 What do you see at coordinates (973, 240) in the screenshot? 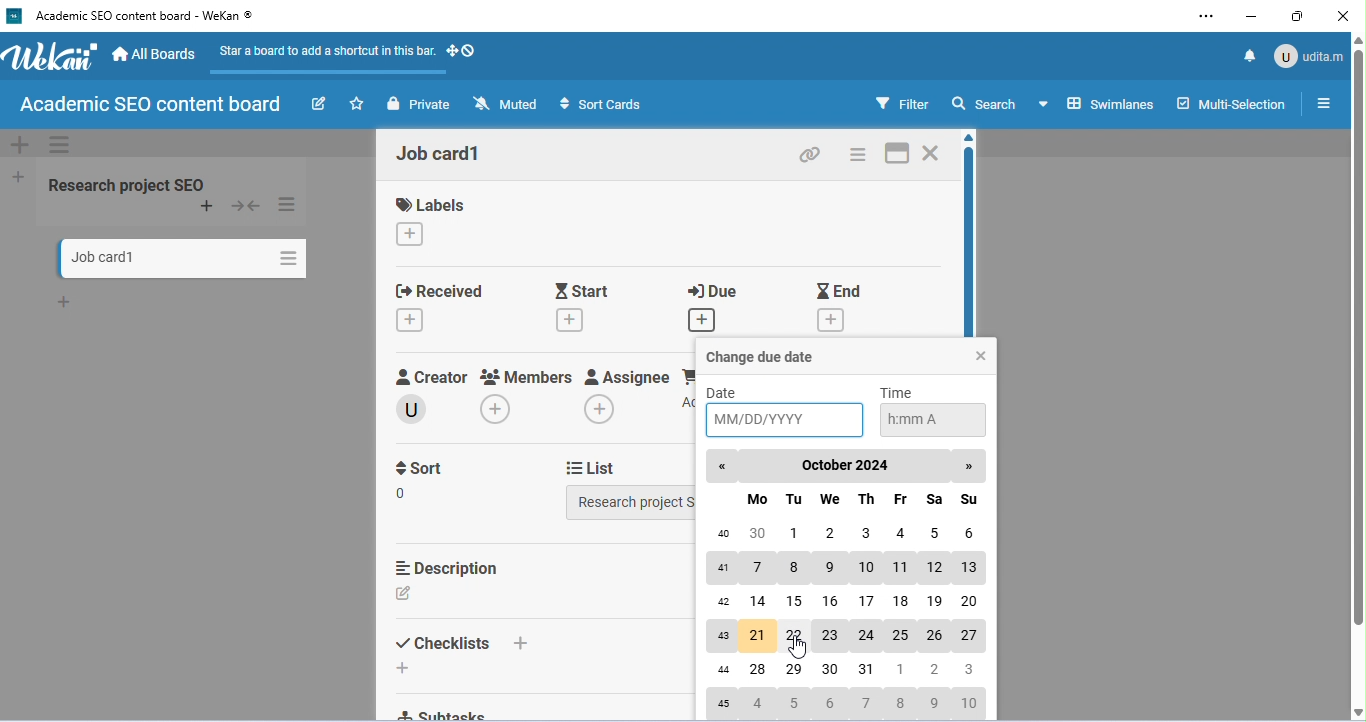
I see `vertical scroll bar` at bounding box center [973, 240].